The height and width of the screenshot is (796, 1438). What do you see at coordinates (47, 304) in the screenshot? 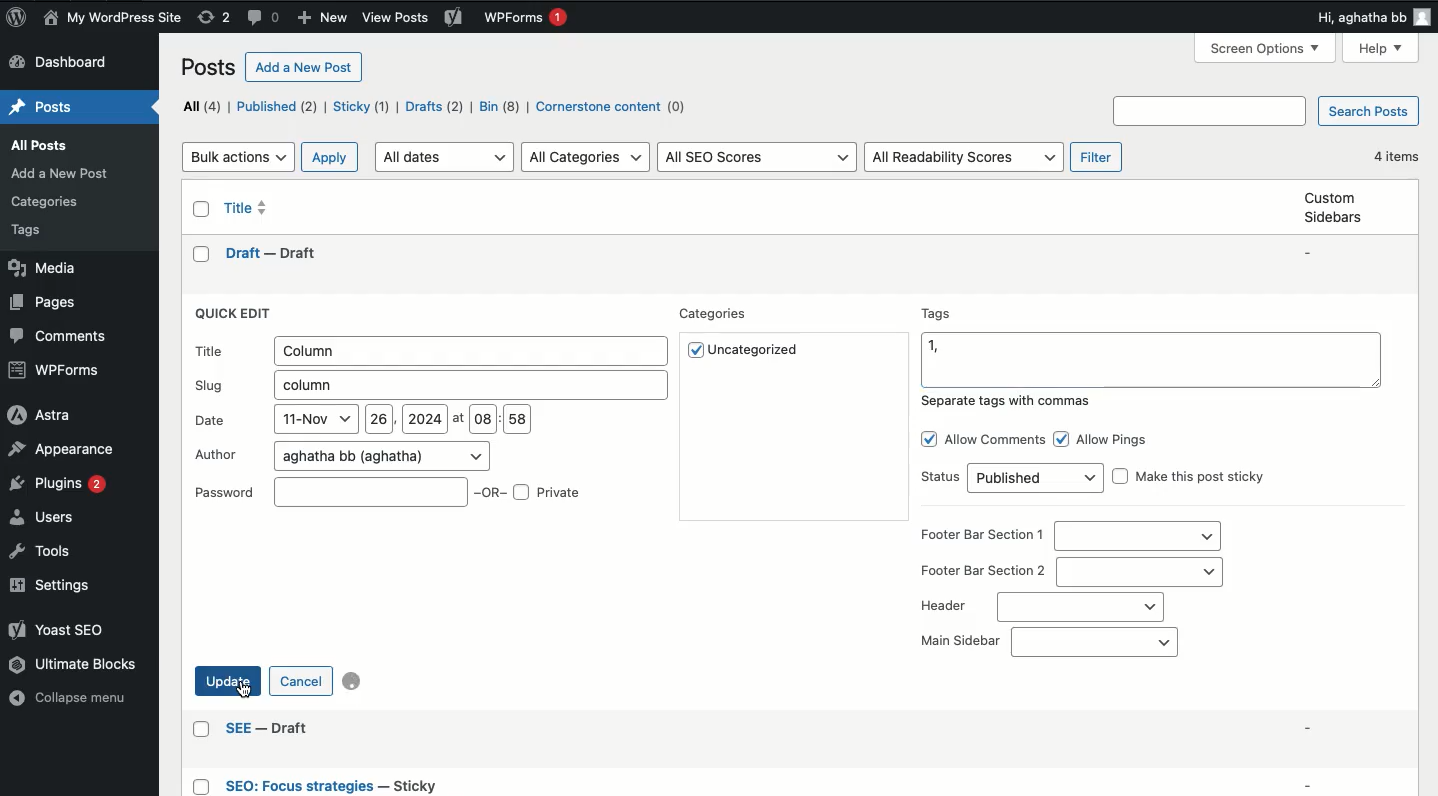
I see `Pages` at bounding box center [47, 304].